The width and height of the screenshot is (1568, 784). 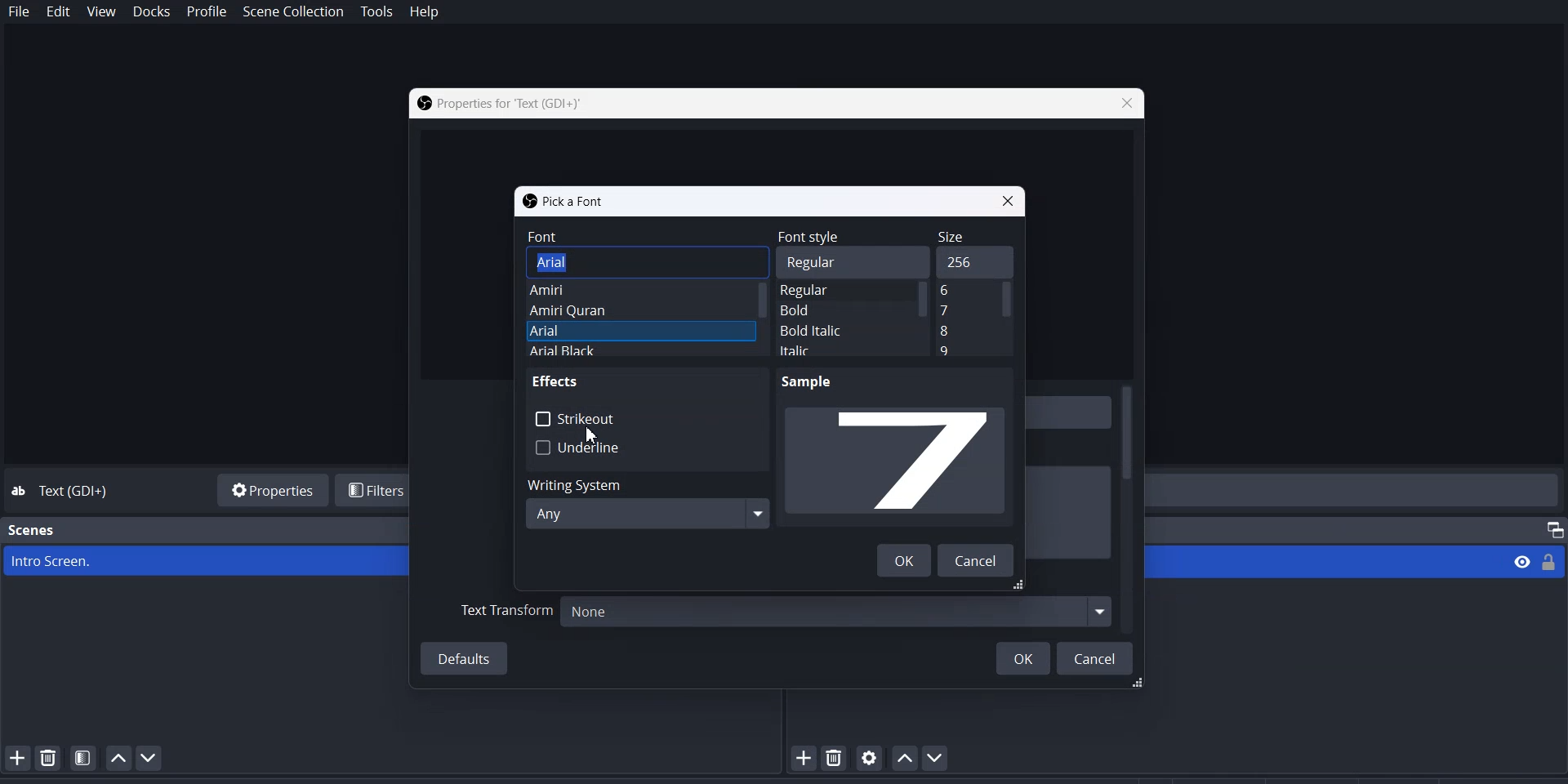 I want to click on Edit, so click(x=59, y=13).